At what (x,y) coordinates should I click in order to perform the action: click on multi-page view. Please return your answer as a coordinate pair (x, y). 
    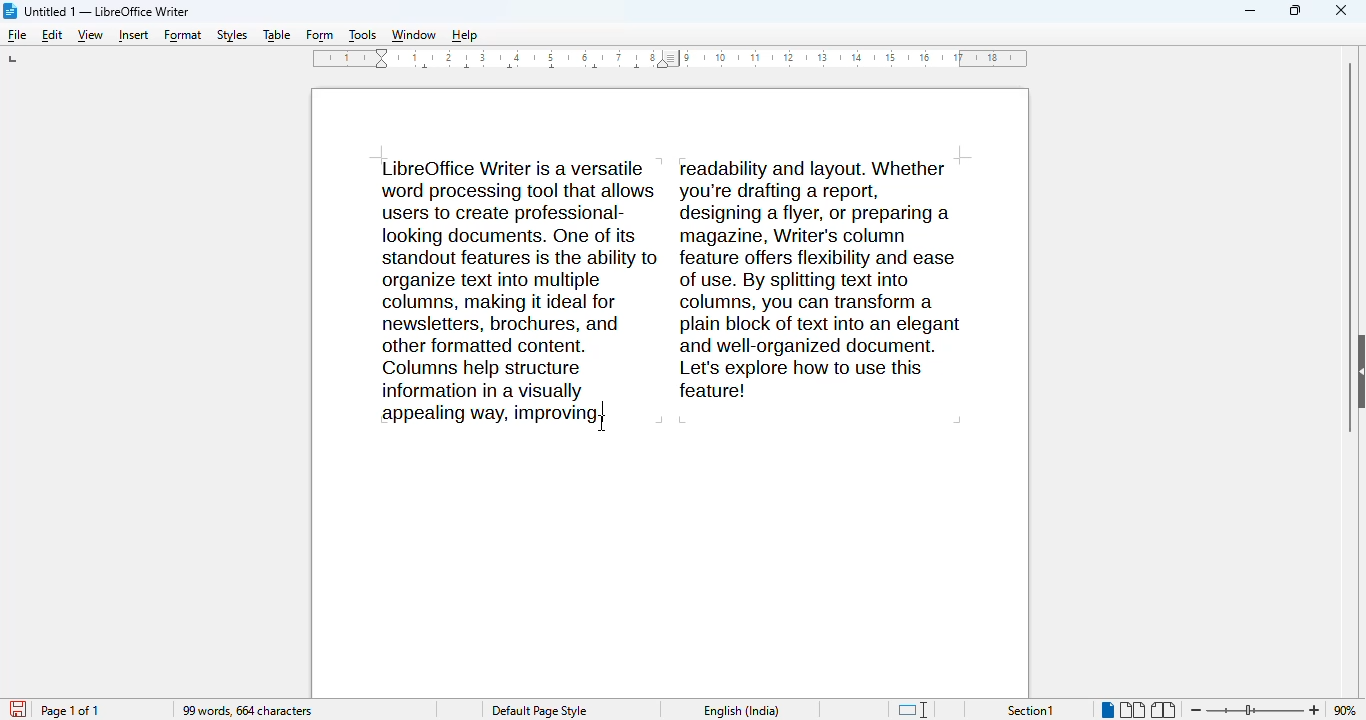
    Looking at the image, I should click on (1133, 710).